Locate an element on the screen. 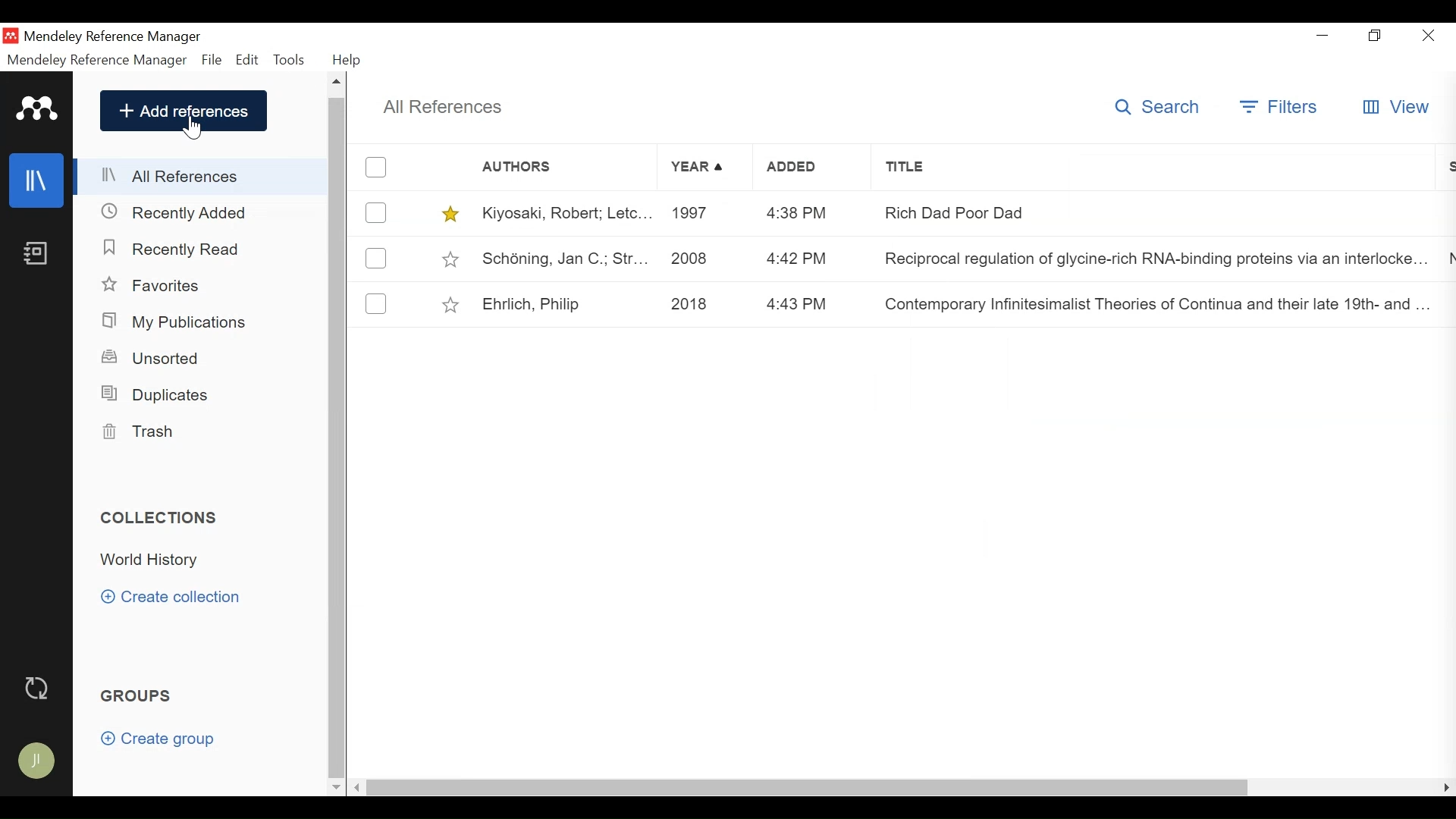 The height and width of the screenshot is (819, 1456). File is located at coordinates (212, 59).